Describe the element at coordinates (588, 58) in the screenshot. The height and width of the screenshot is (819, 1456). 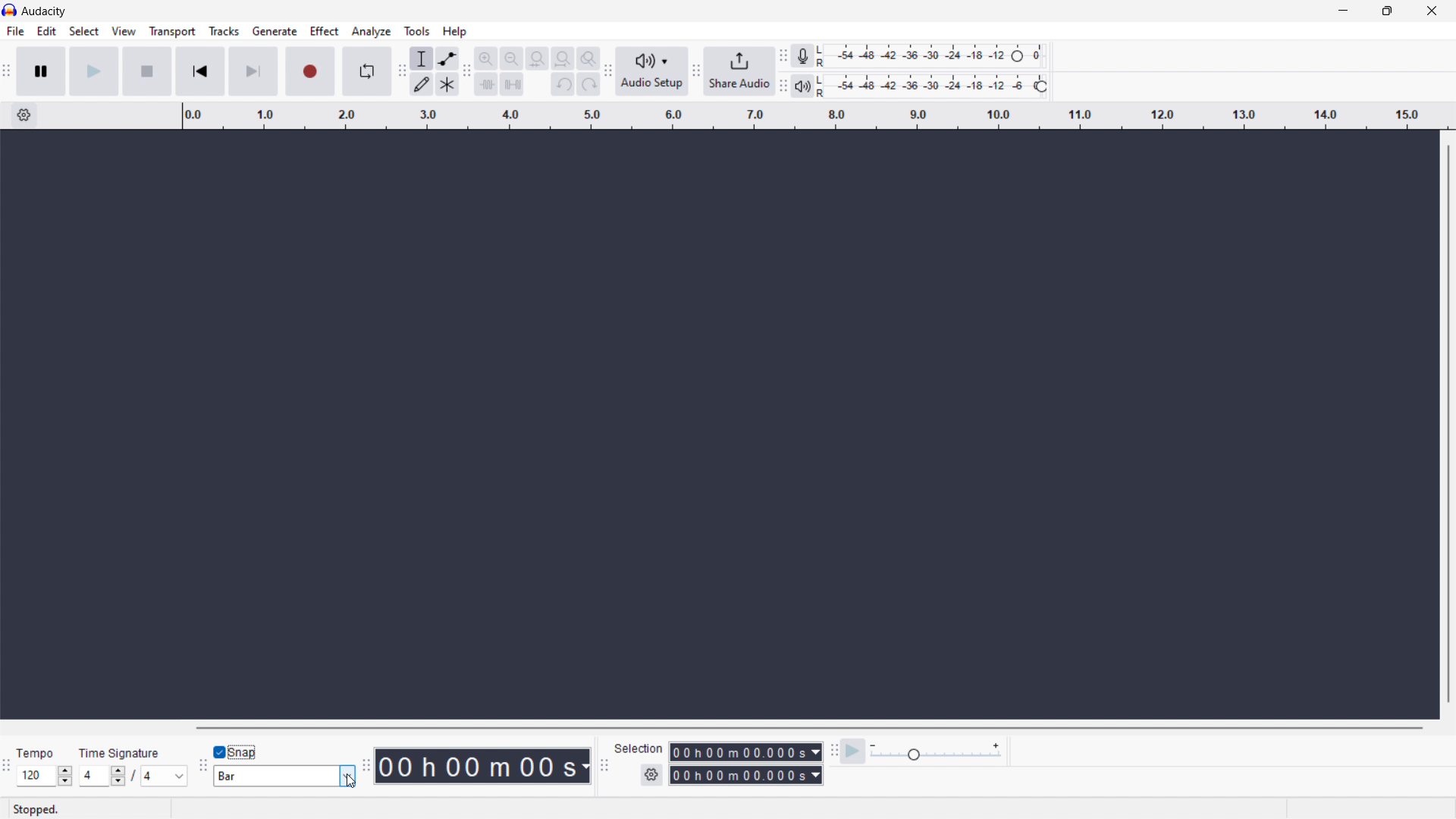
I see `toggle zoom` at that location.